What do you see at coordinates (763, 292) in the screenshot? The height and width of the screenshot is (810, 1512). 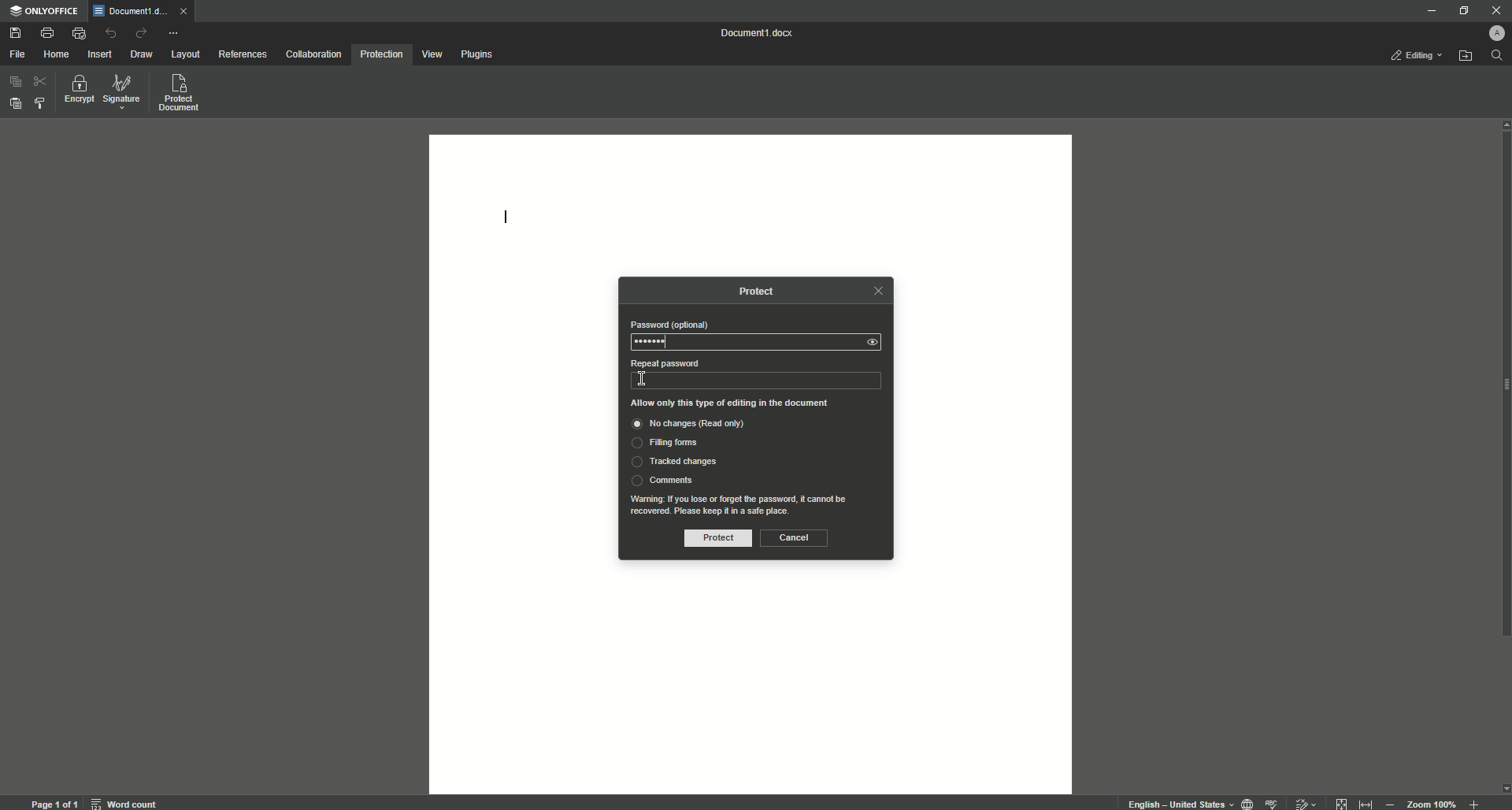 I see `Protect` at bounding box center [763, 292].